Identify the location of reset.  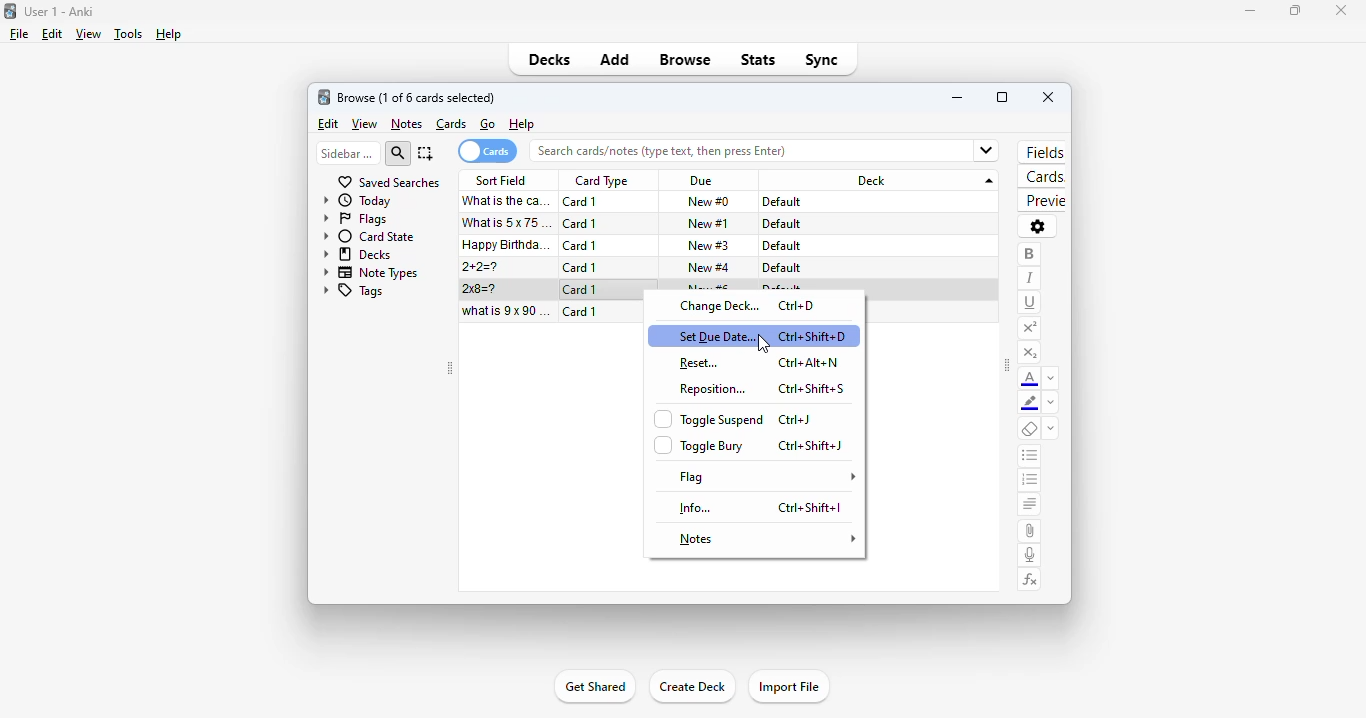
(699, 364).